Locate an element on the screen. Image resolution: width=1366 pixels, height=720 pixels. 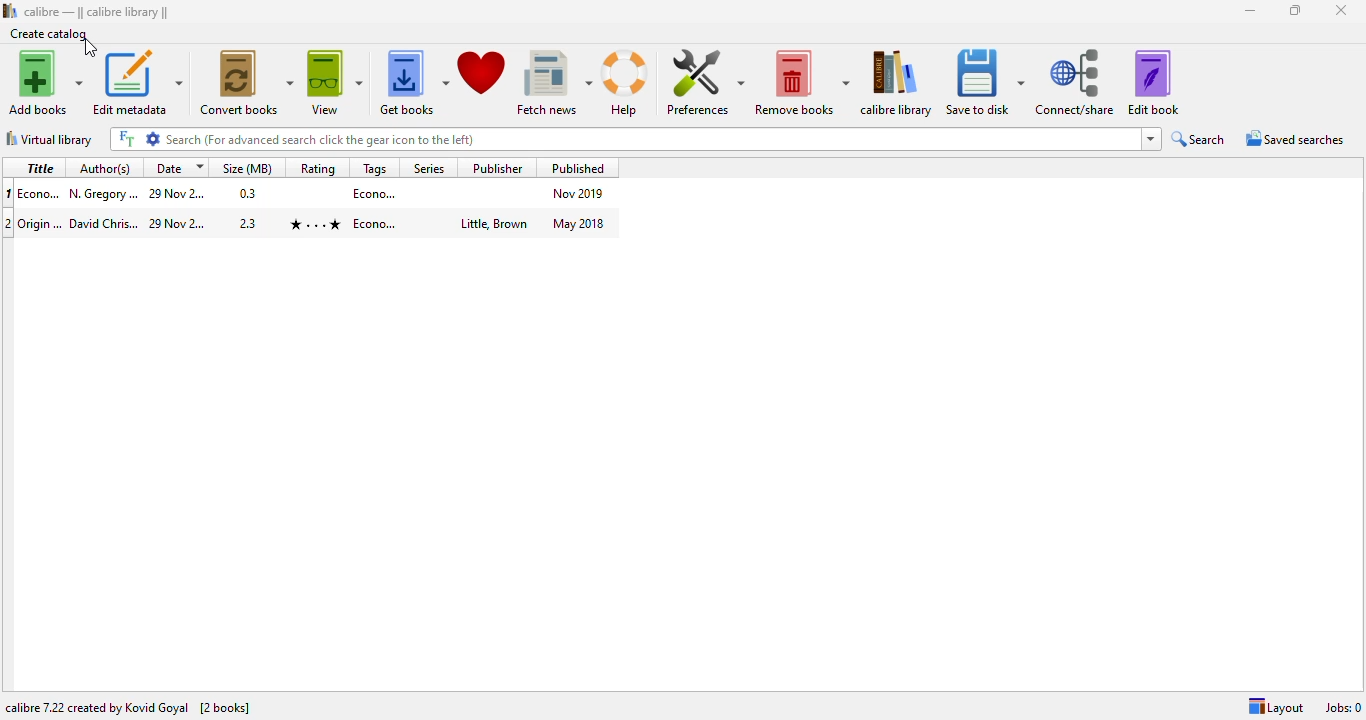
fetch news is located at coordinates (553, 82).